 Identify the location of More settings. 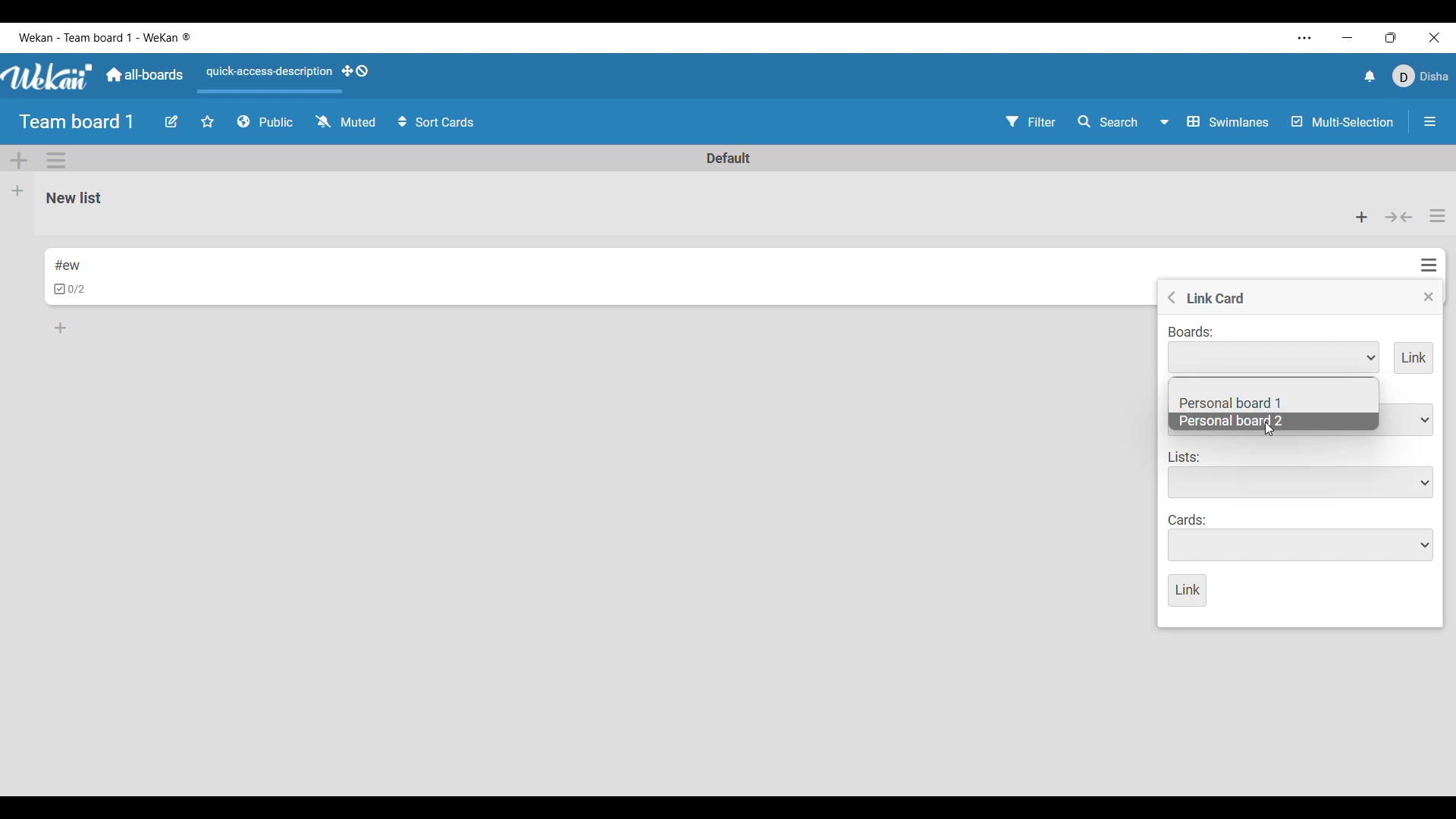
(1305, 39).